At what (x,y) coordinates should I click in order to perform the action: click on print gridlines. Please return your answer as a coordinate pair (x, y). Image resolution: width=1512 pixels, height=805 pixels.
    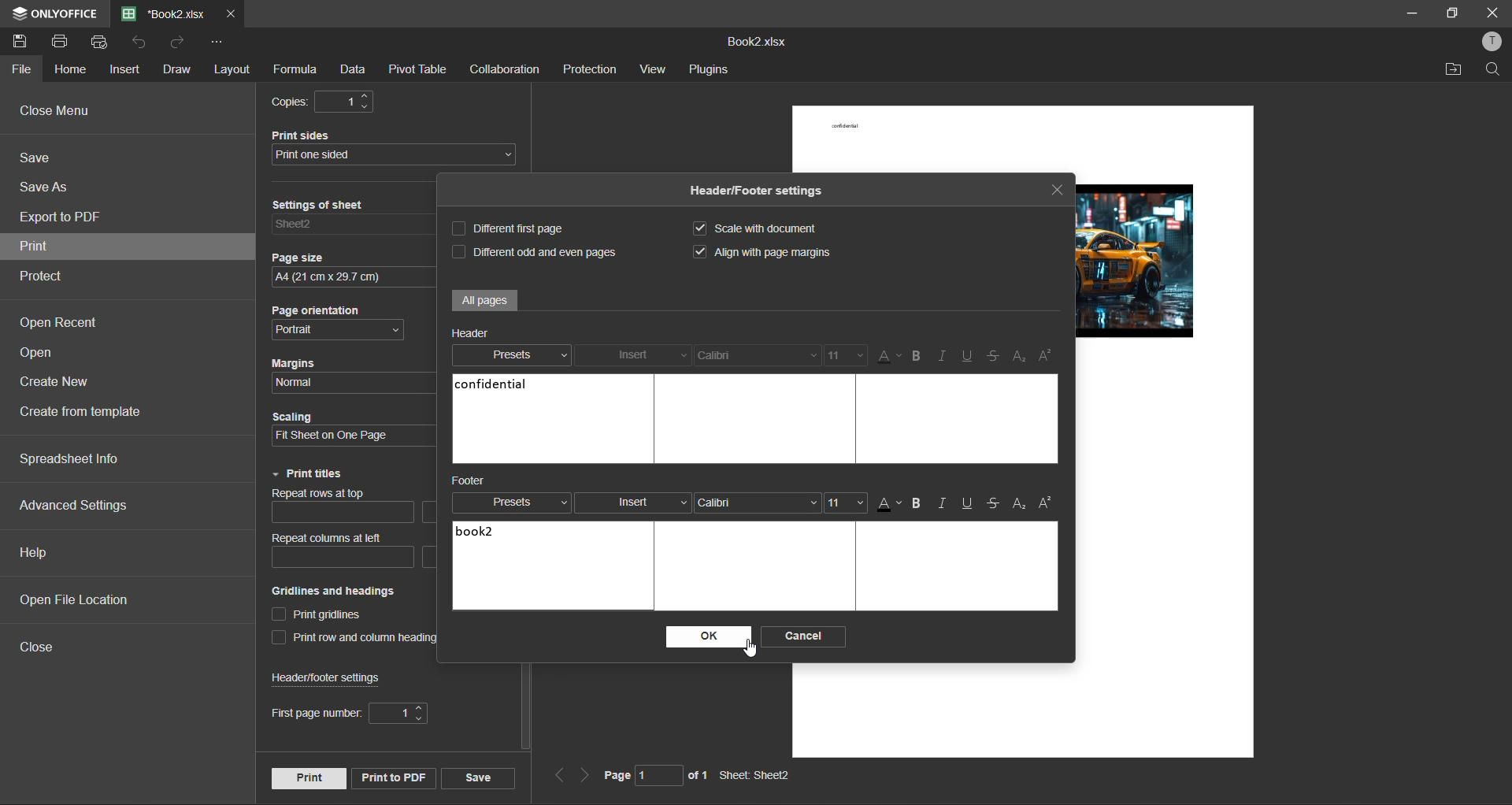
    Looking at the image, I should click on (318, 616).